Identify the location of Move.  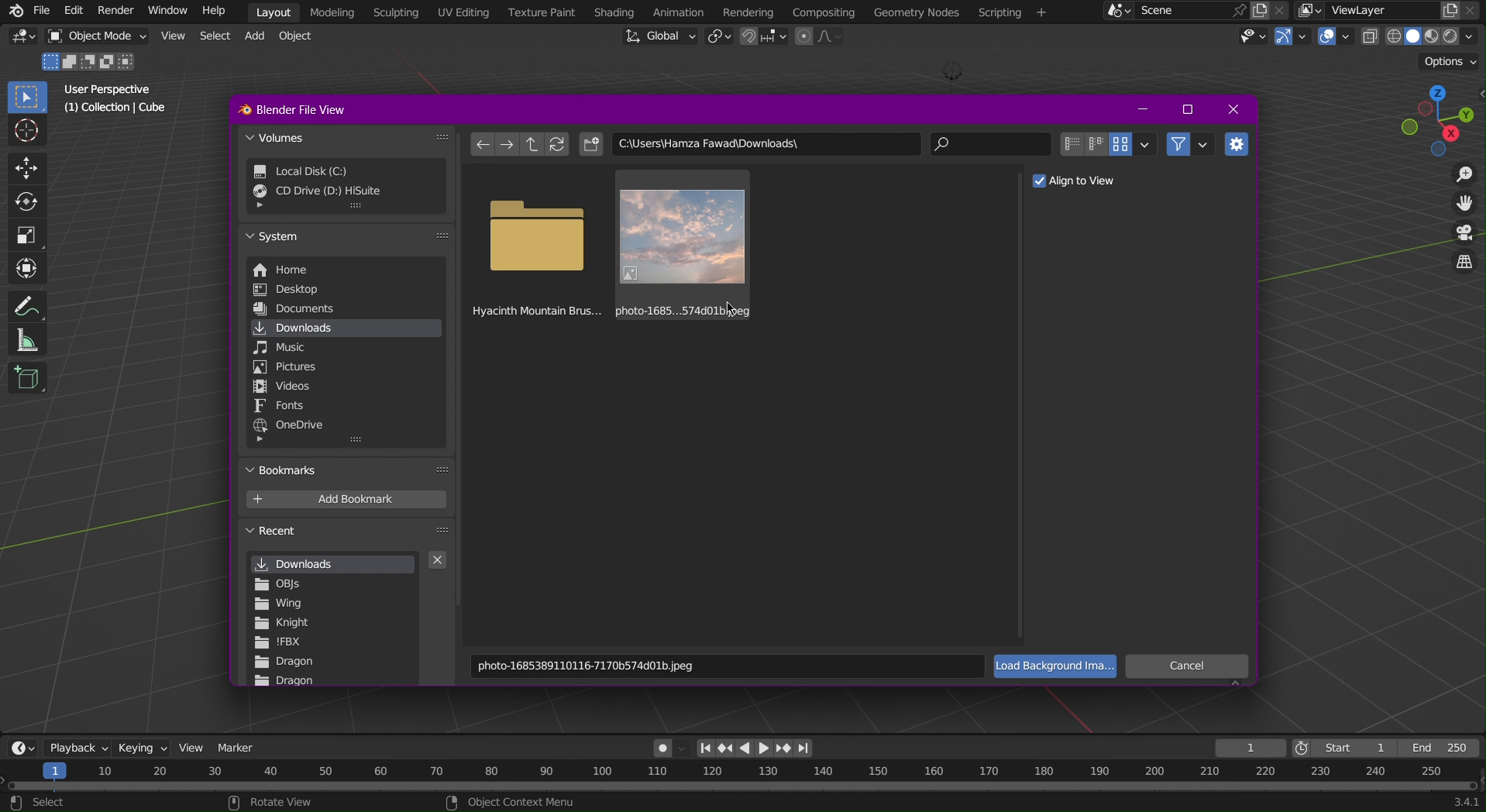
(24, 169).